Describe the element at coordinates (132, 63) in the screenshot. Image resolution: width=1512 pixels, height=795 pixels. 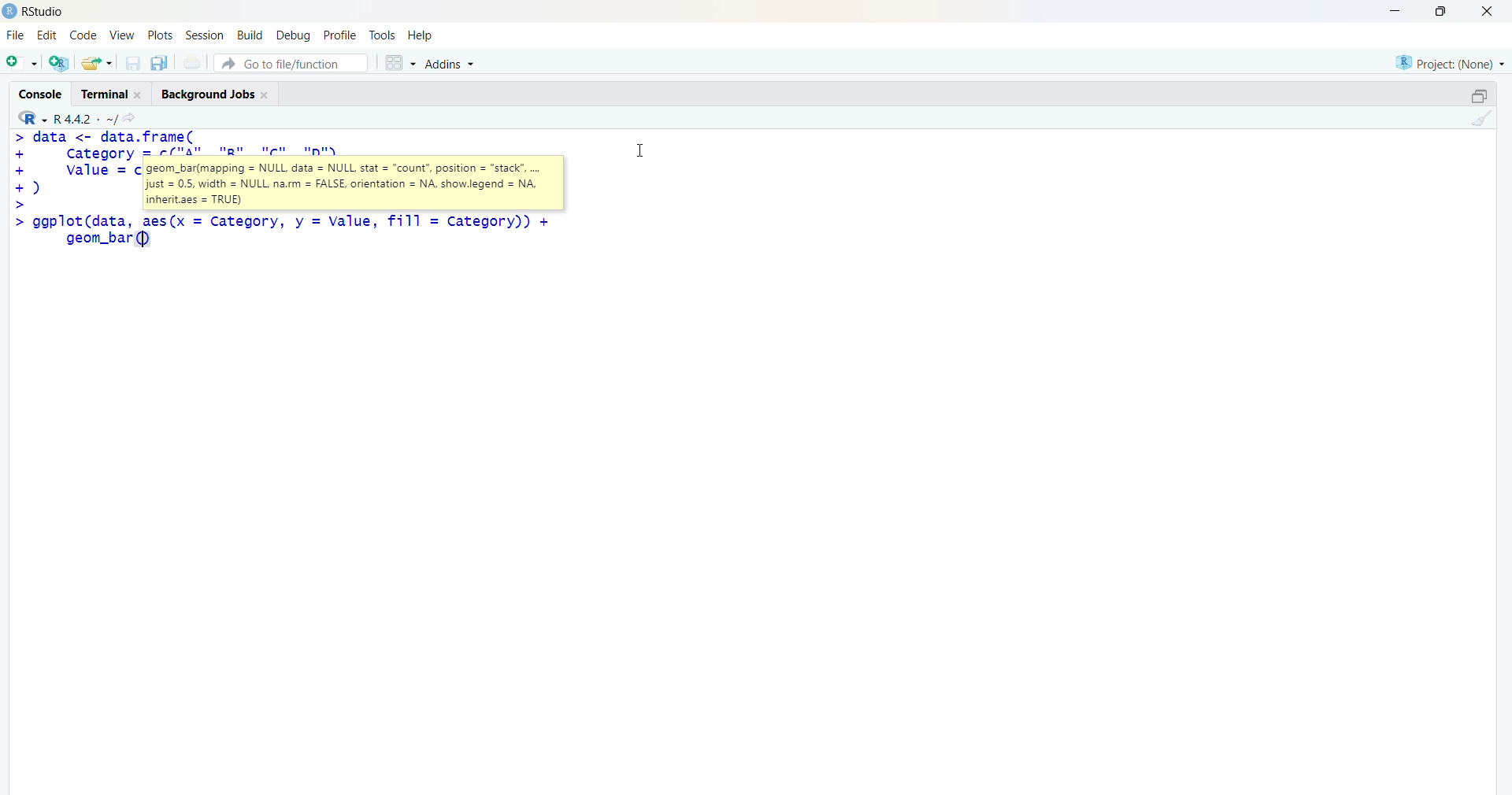
I see `save current document` at that location.